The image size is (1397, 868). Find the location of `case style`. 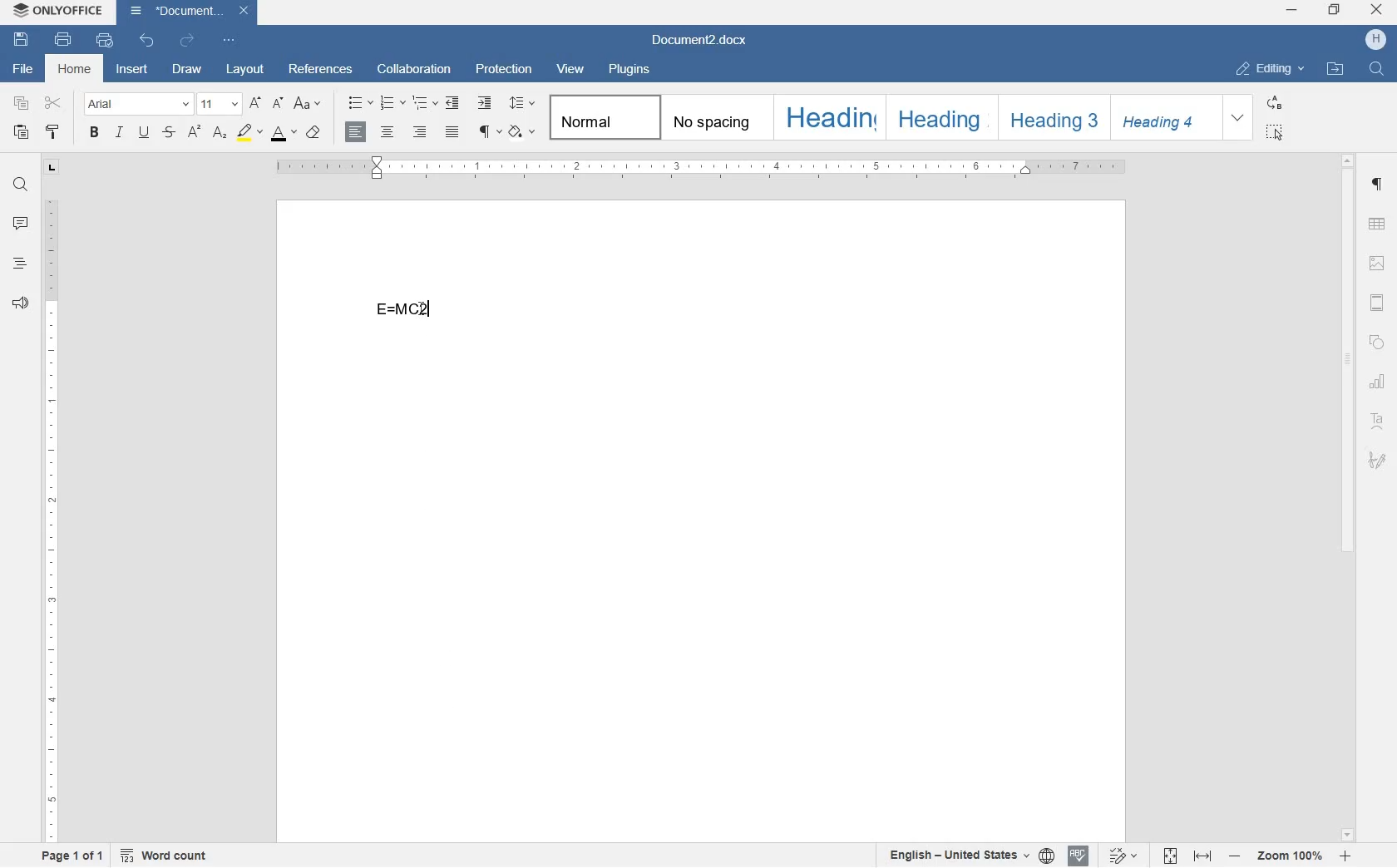

case style is located at coordinates (315, 135).